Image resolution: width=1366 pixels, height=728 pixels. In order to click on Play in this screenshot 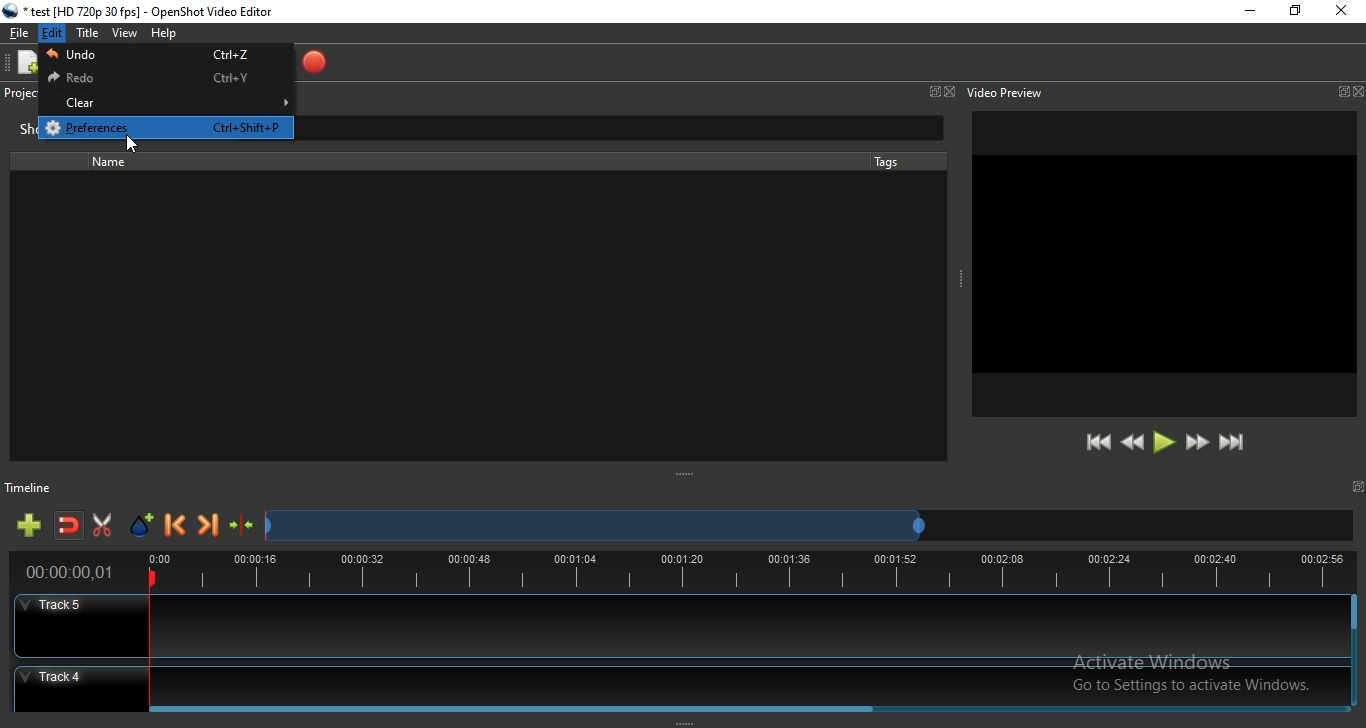, I will do `click(1164, 443)`.